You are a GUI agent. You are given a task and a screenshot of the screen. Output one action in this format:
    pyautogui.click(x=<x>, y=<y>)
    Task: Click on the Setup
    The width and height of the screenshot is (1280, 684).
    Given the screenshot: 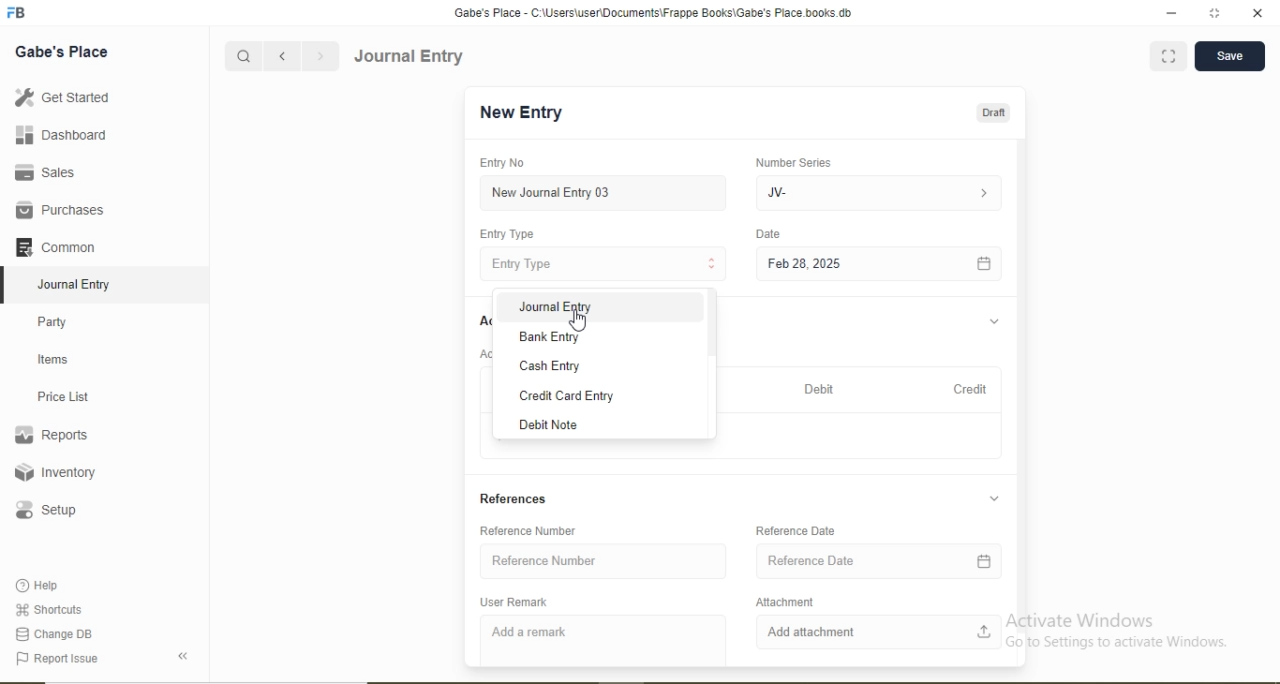 What is the action you would take?
    pyautogui.click(x=45, y=510)
    